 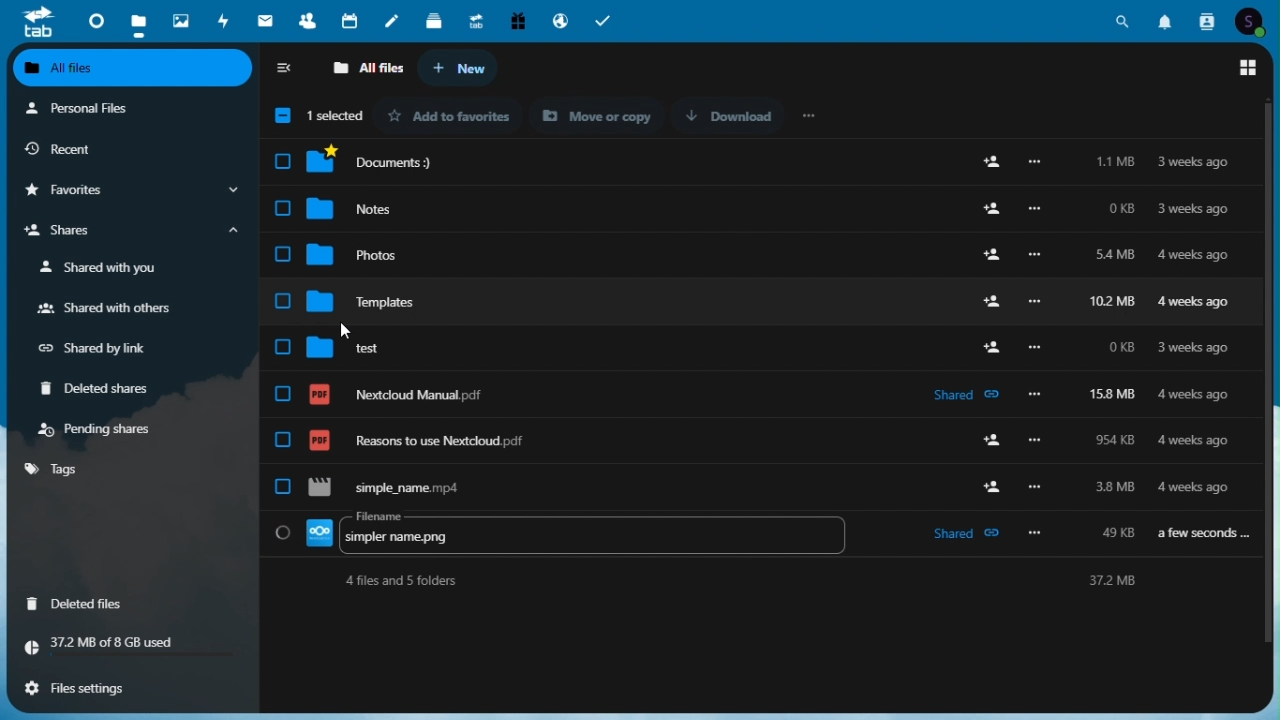 What do you see at coordinates (606, 19) in the screenshot?
I see `tasks` at bounding box center [606, 19].